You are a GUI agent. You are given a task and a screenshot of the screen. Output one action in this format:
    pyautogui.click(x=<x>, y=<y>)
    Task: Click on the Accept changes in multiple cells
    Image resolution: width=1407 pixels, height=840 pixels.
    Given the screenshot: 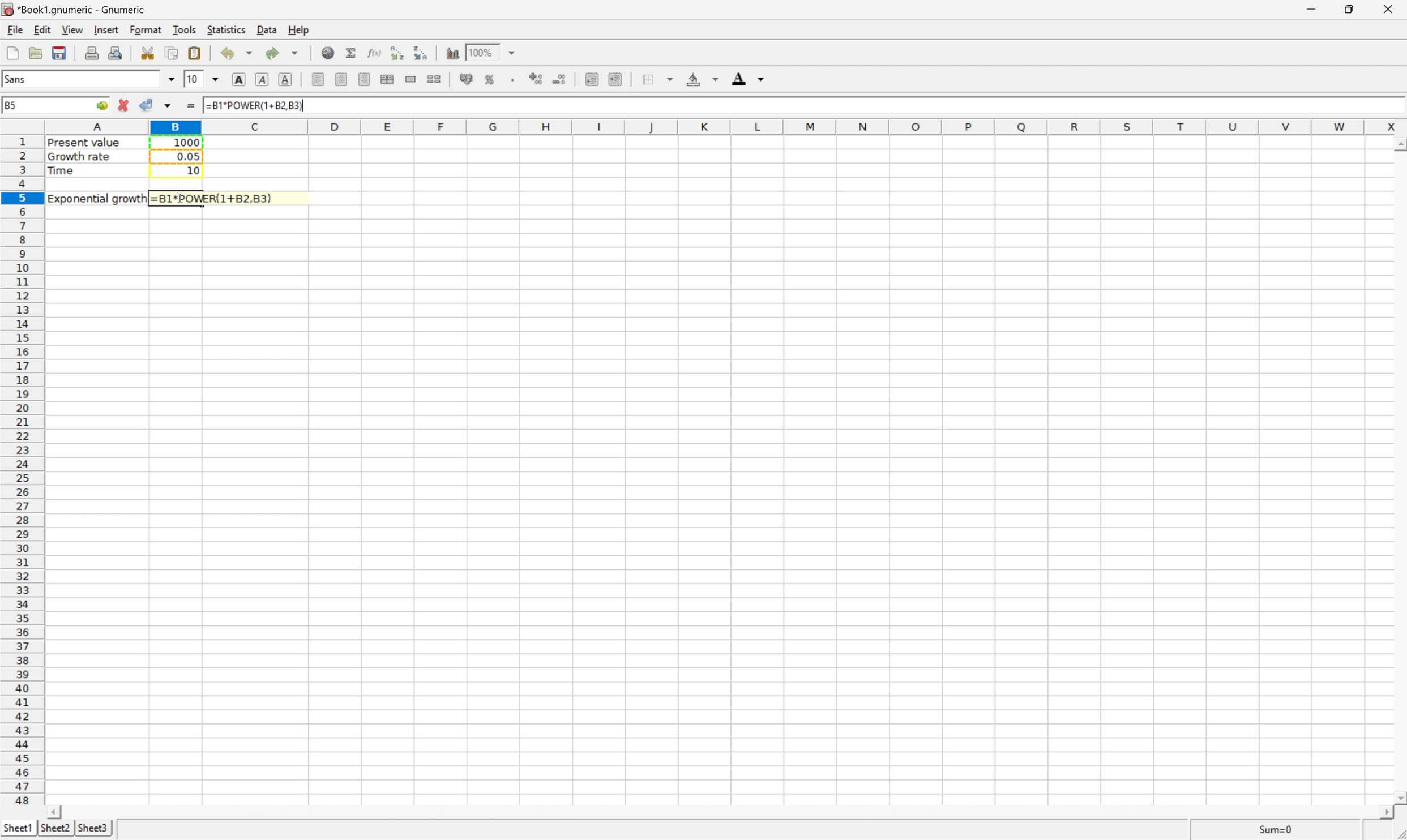 What is the action you would take?
    pyautogui.click(x=167, y=105)
    